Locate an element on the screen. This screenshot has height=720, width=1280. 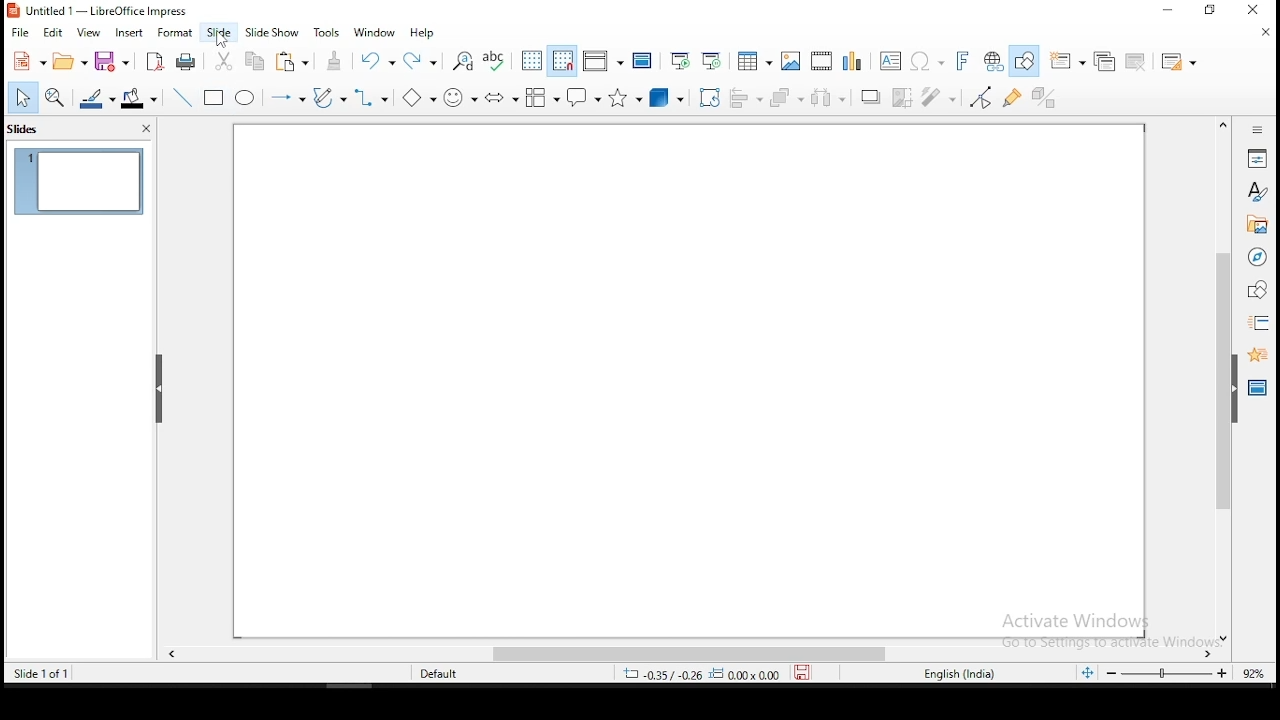
print is located at coordinates (192, 60).